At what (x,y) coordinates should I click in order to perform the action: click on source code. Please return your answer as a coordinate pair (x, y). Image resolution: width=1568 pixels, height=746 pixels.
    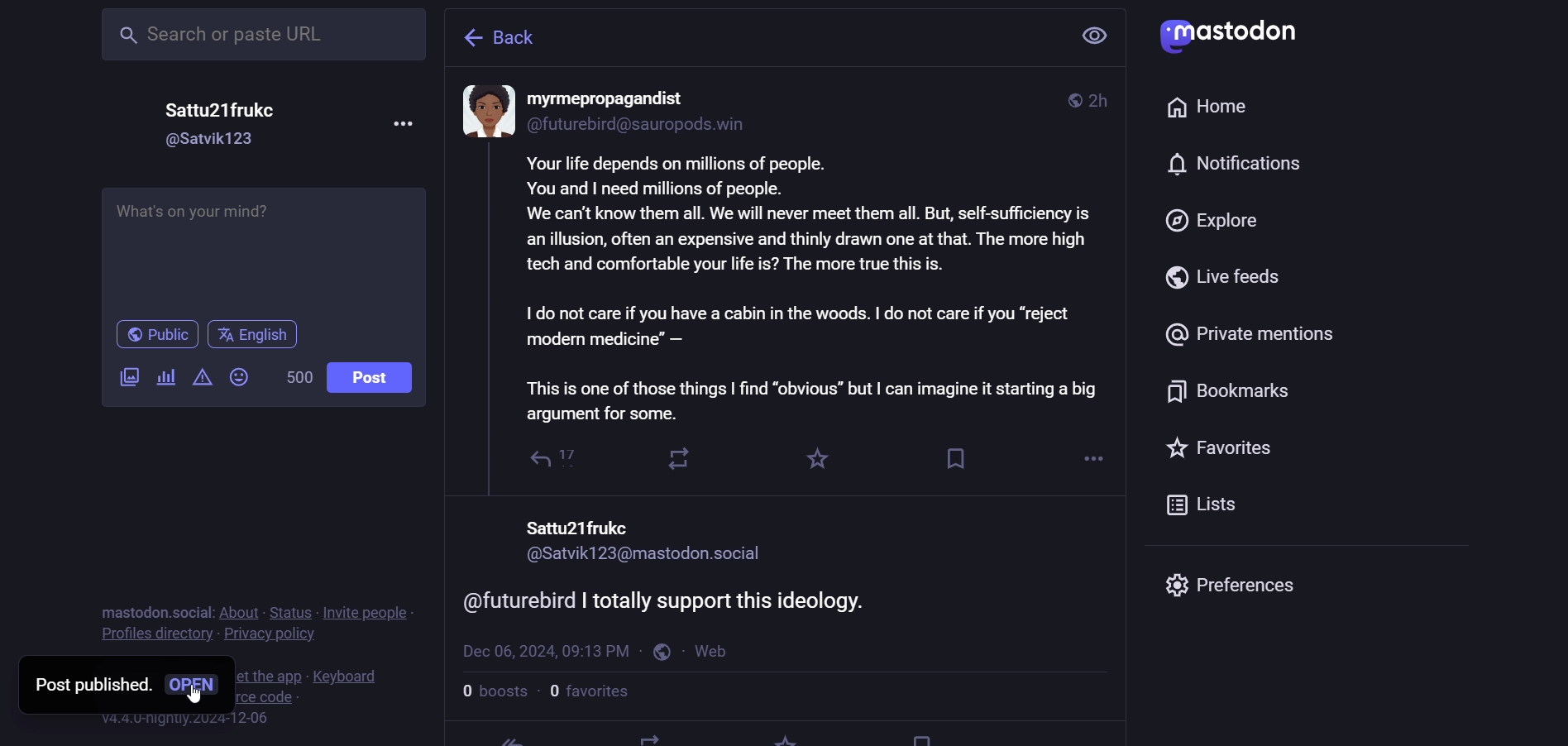
    Looking at the image, I should click on (269, 698).